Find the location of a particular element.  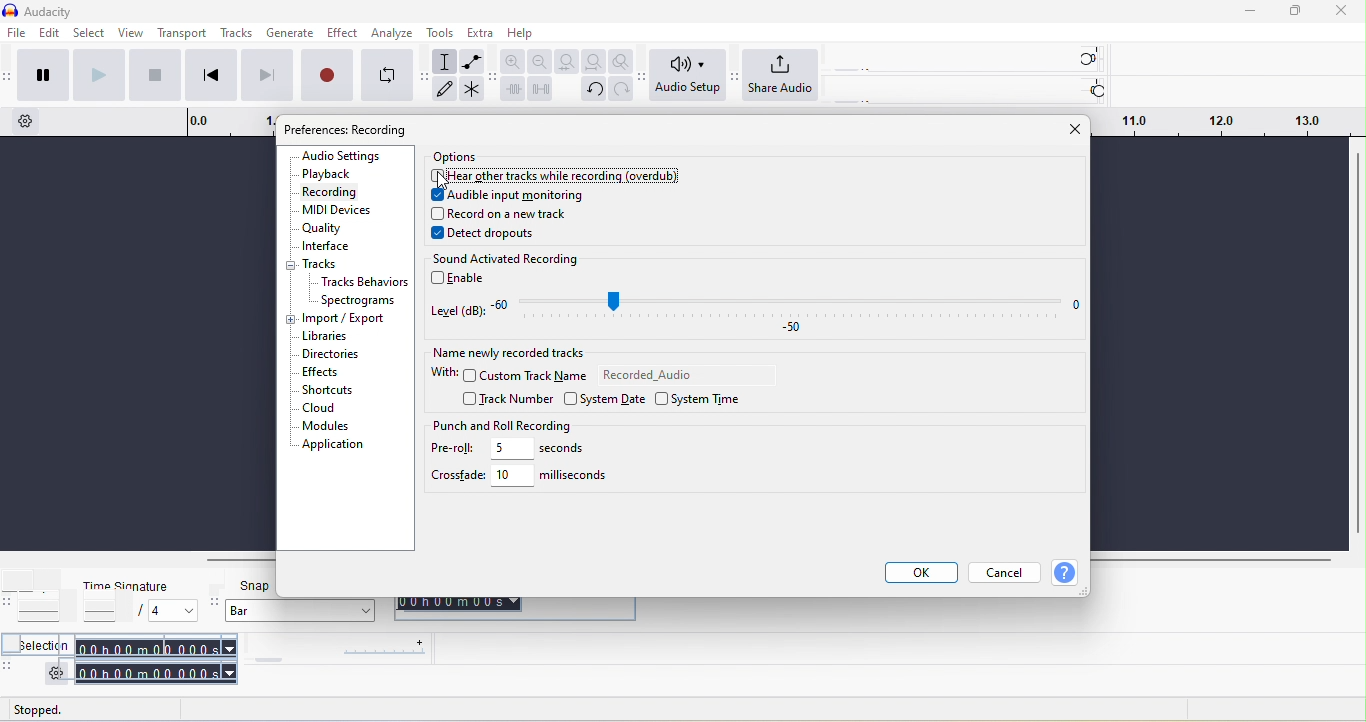

redo is located at coordinates (621, 90).